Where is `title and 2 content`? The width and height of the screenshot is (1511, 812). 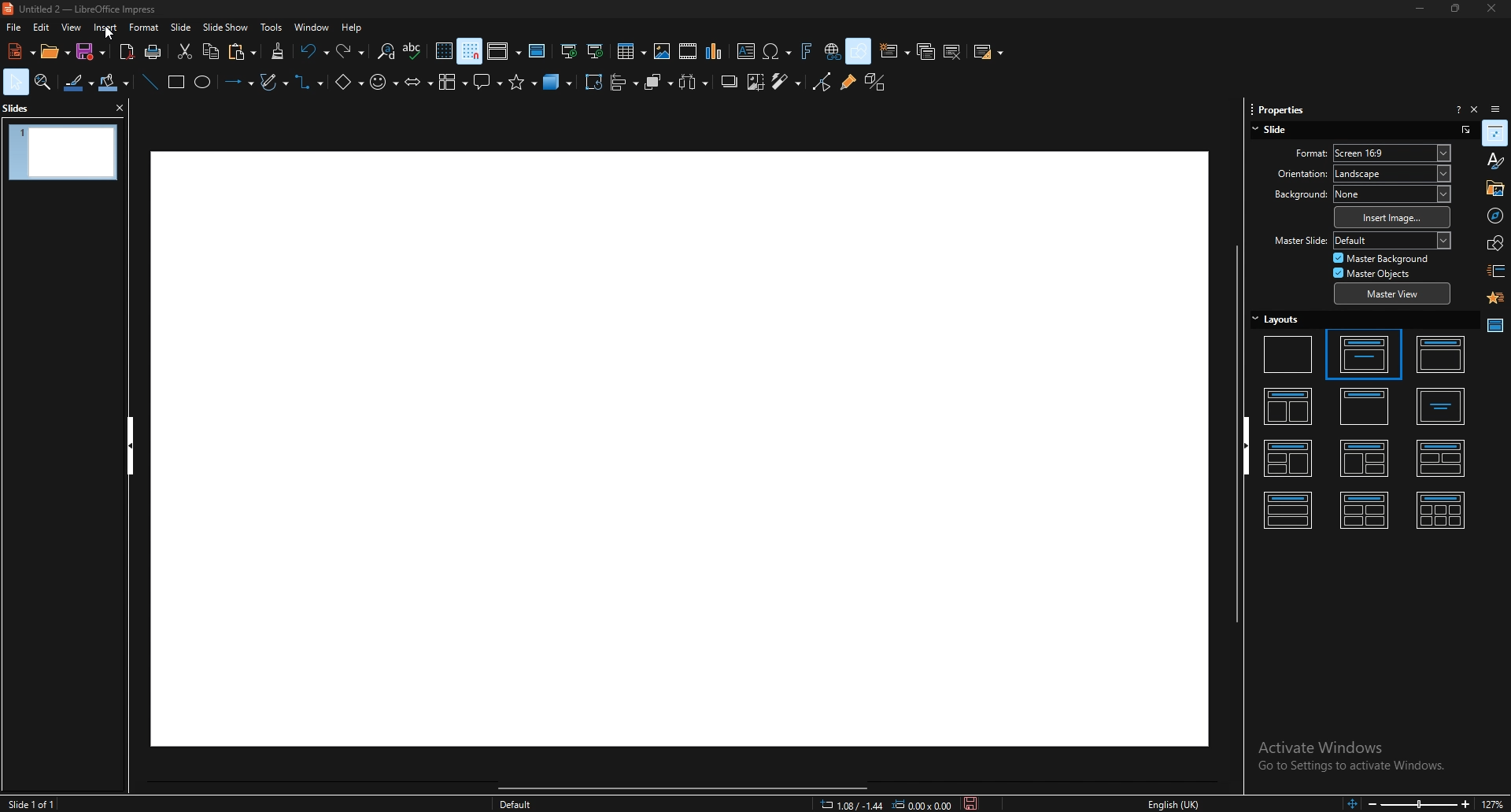
title and 2 content is located at coordinates (1290, 406).